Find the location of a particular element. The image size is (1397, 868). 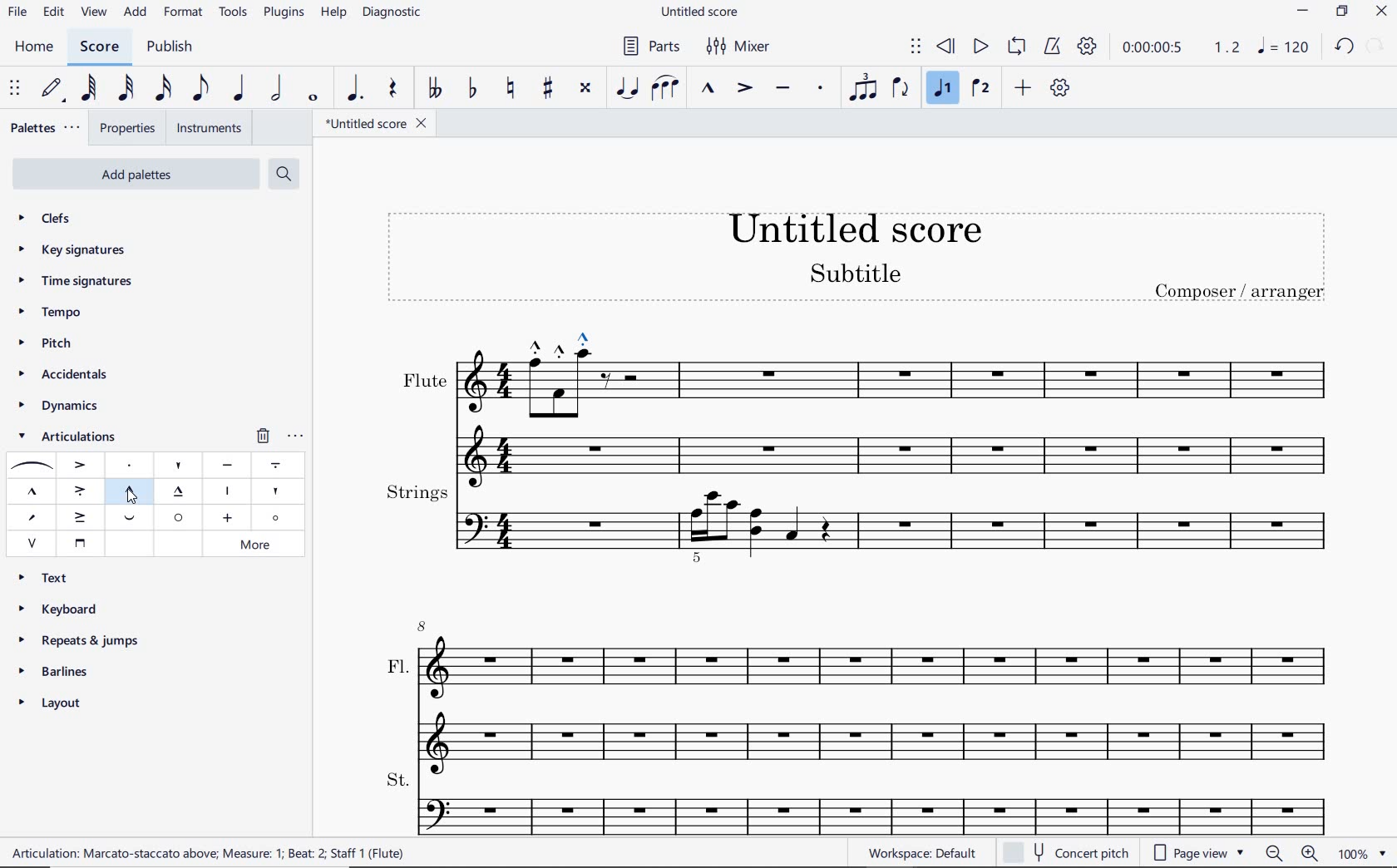

PLAY is located at coordinates (980, 46).